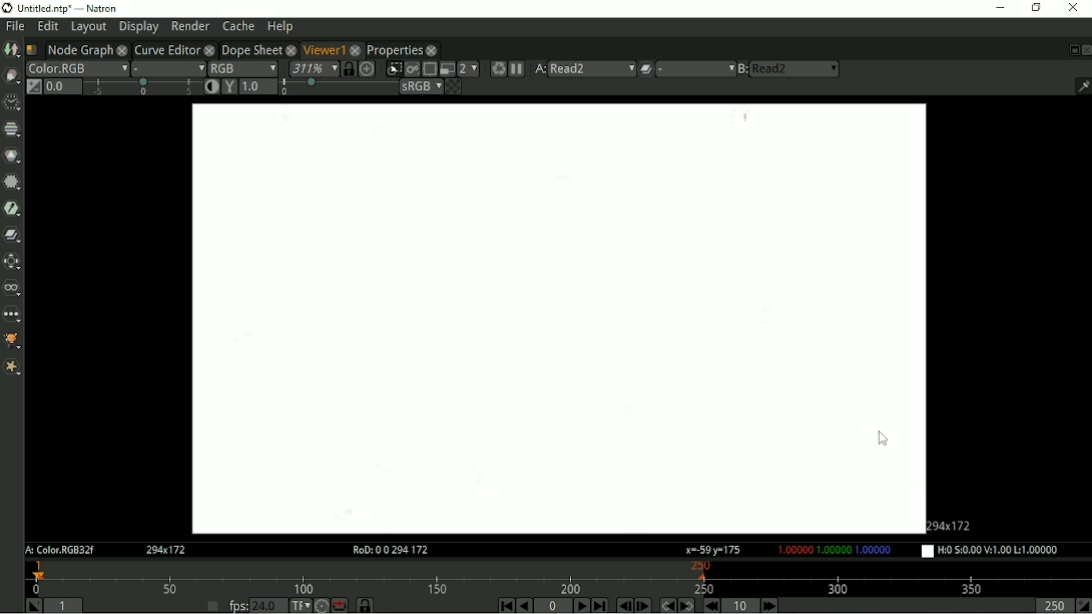 The image size is (1092, 614). Describe the element at coordinates (312, 68) in the screenshot. I see `Zoom` at that location.